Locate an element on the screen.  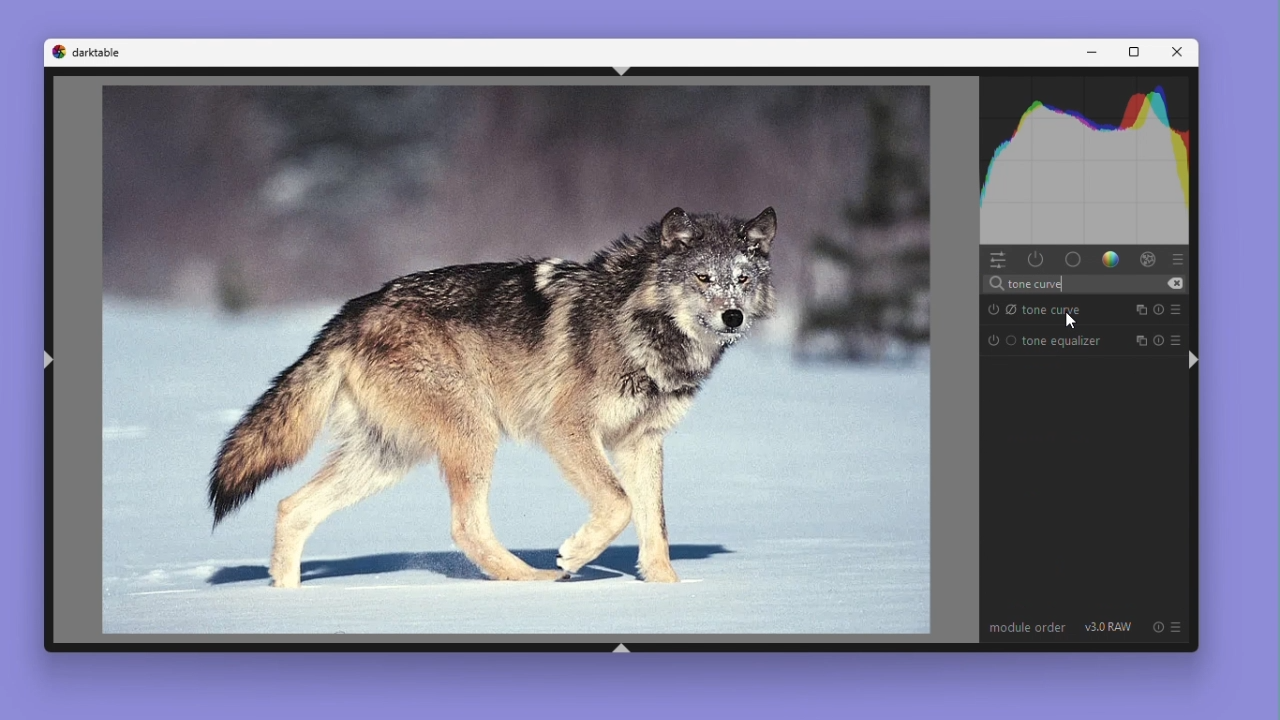
shift+ctrl+r is located at coordinates (1192, 359).